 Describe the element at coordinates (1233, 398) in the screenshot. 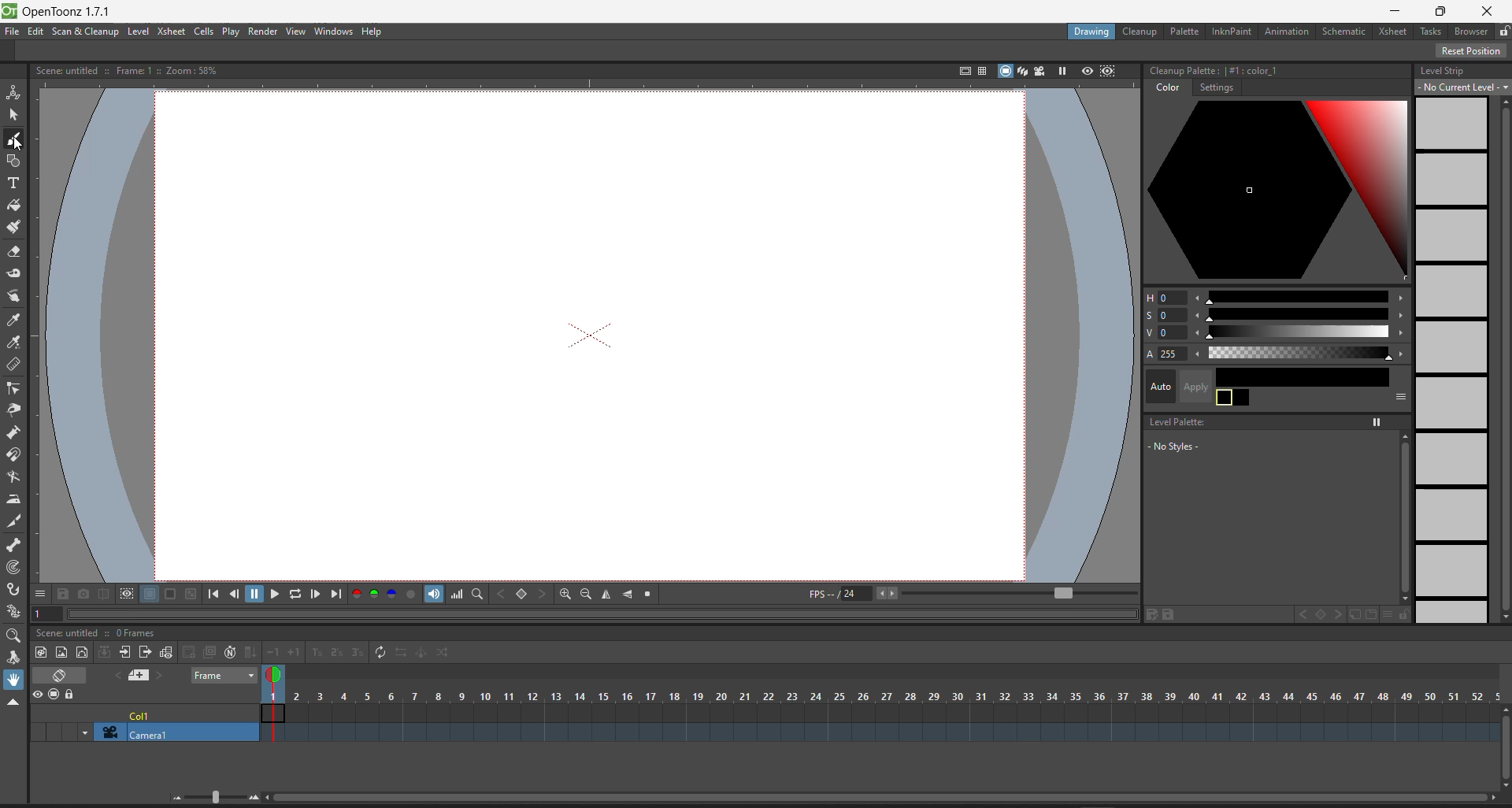

I see `primary and secondary color` at that location.